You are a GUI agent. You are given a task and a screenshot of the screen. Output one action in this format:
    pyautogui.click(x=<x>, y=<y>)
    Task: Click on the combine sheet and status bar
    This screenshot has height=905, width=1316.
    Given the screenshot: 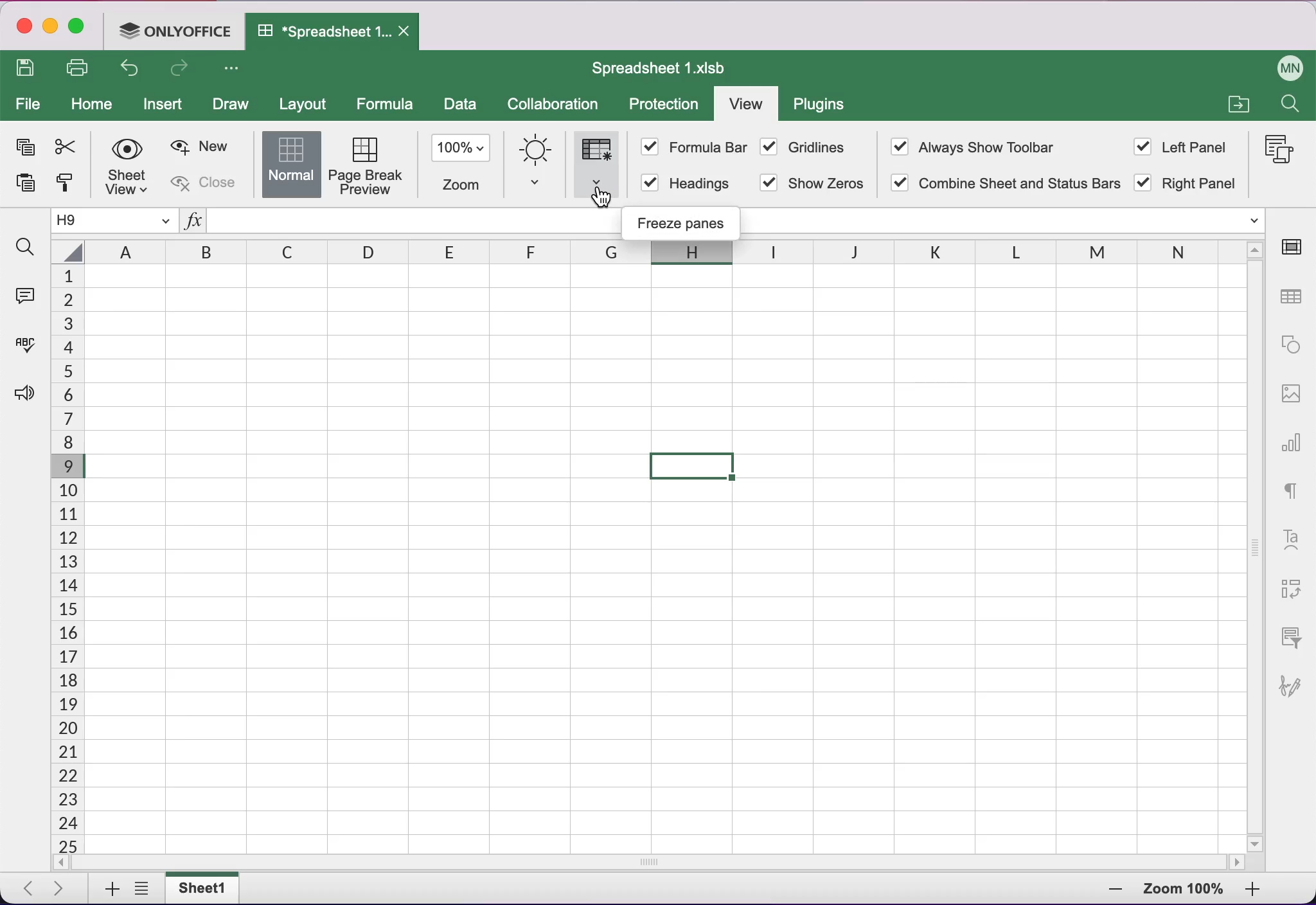 What is the action you would take?
    pyautogui.click(x=1002, y=184)
    